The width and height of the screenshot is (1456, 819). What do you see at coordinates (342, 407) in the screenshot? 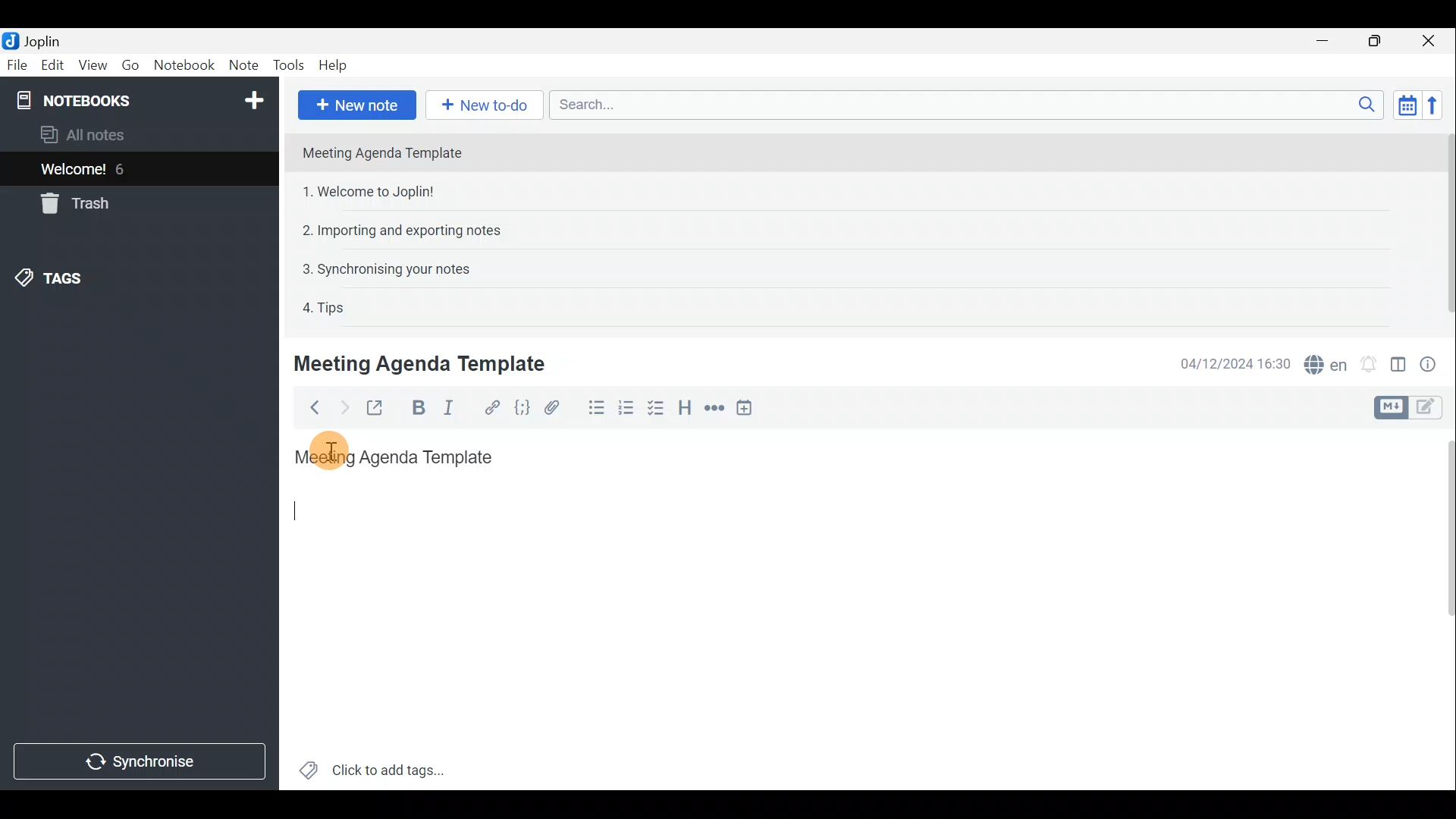
I see `Forward` at bounding box center [342, 407].